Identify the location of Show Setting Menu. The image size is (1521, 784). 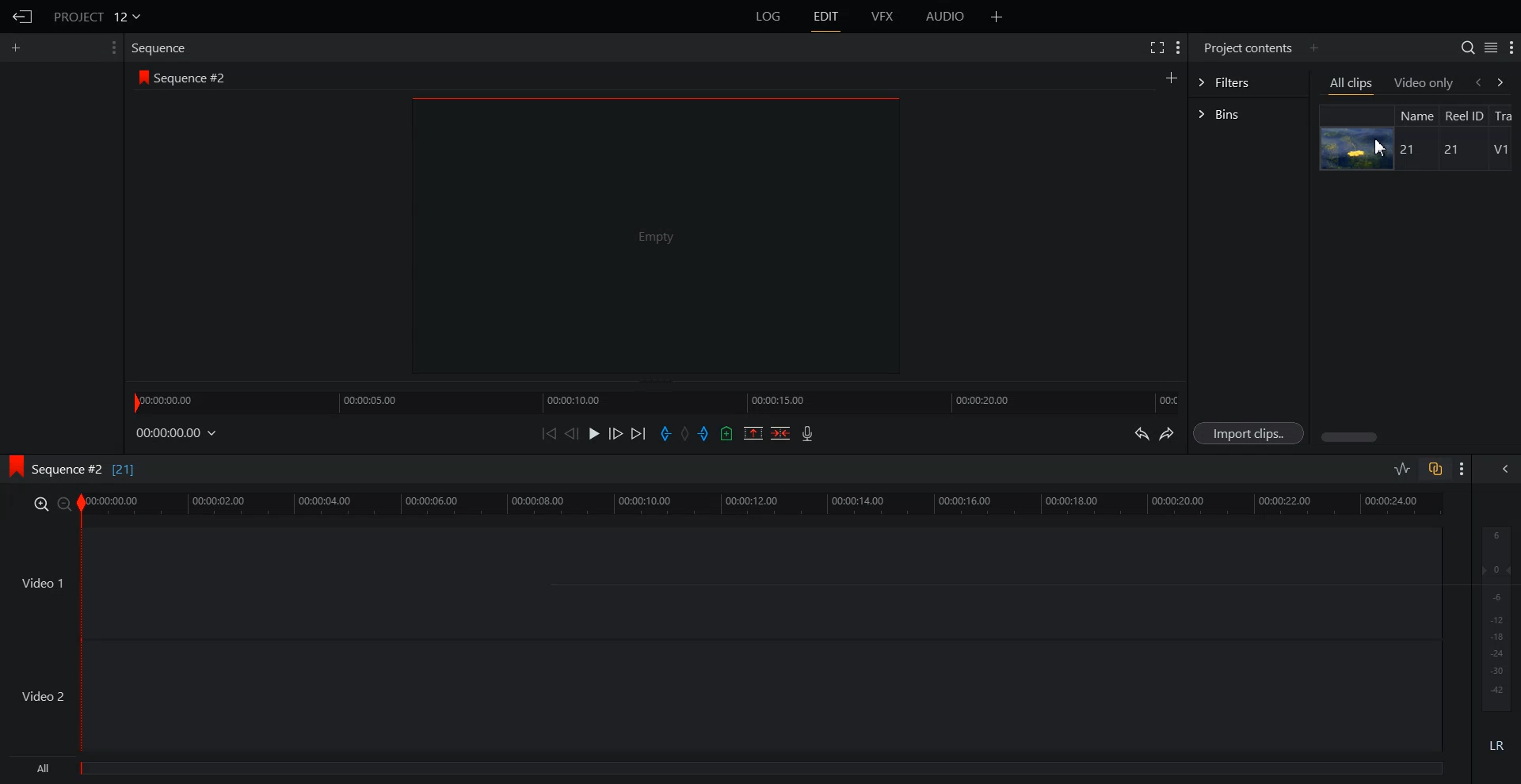
(1179, 49).